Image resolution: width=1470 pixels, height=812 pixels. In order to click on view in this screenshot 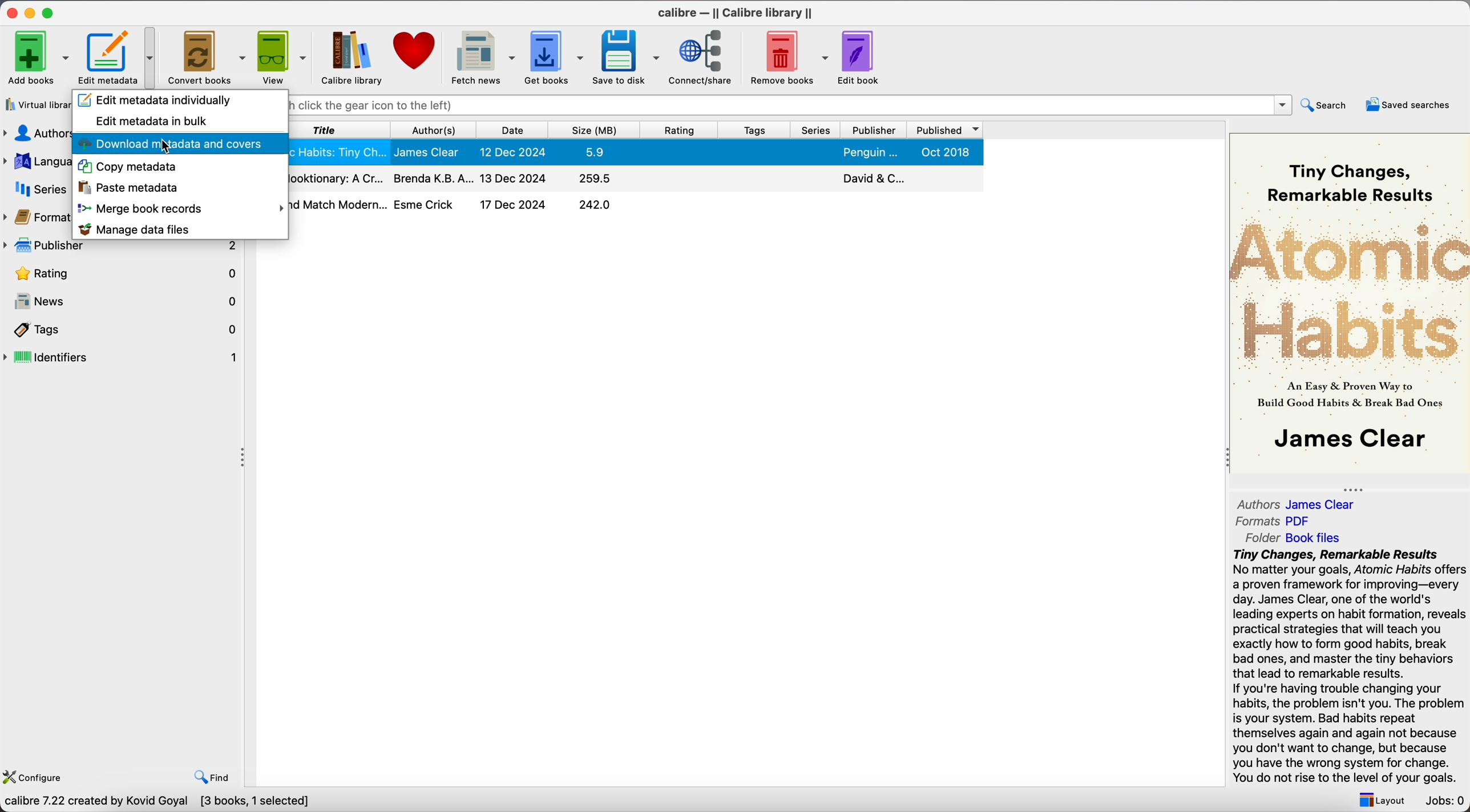, I will do `click(283, 58)`.